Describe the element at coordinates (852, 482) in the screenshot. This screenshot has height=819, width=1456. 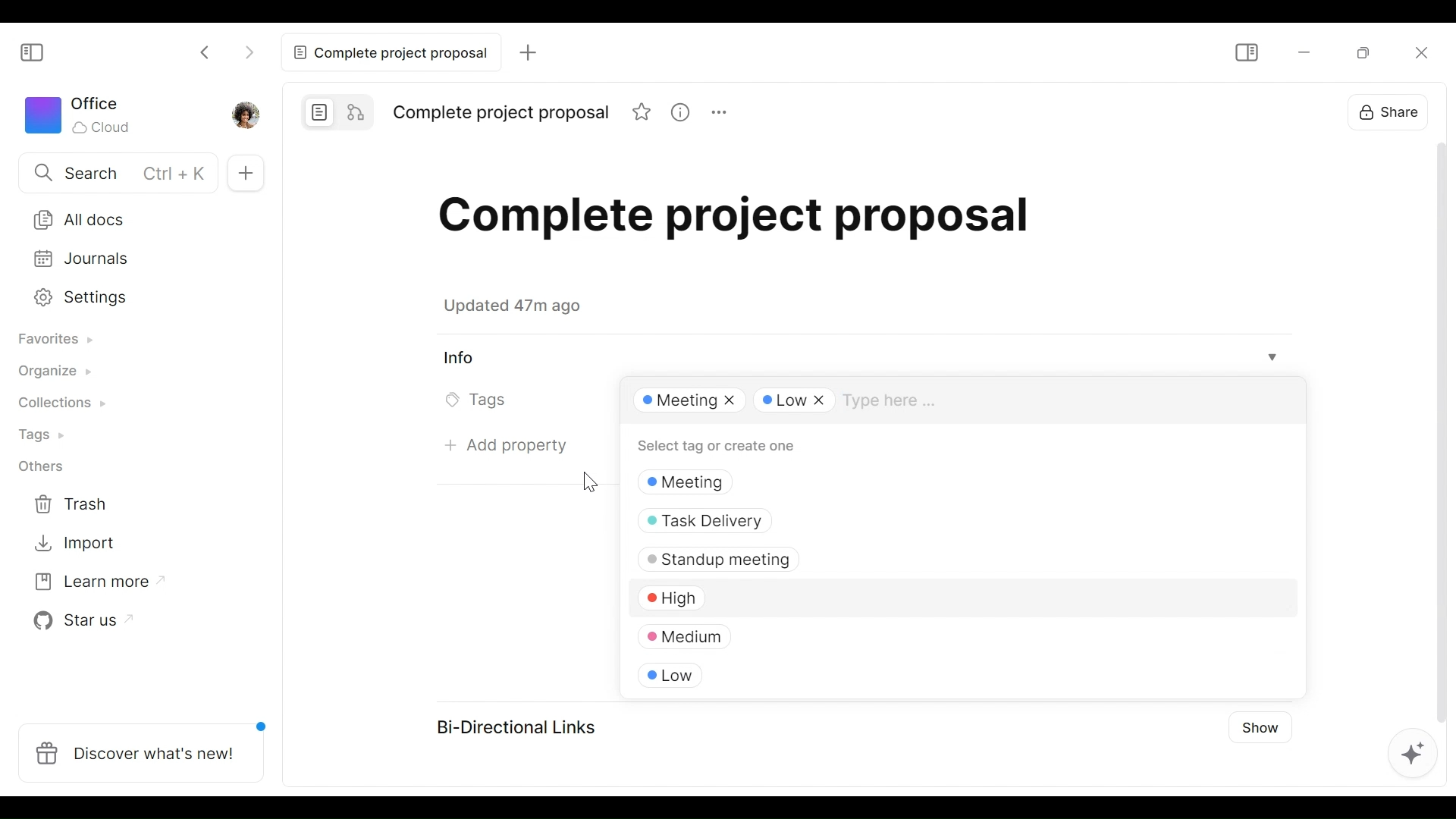
I see `tags` at that location.